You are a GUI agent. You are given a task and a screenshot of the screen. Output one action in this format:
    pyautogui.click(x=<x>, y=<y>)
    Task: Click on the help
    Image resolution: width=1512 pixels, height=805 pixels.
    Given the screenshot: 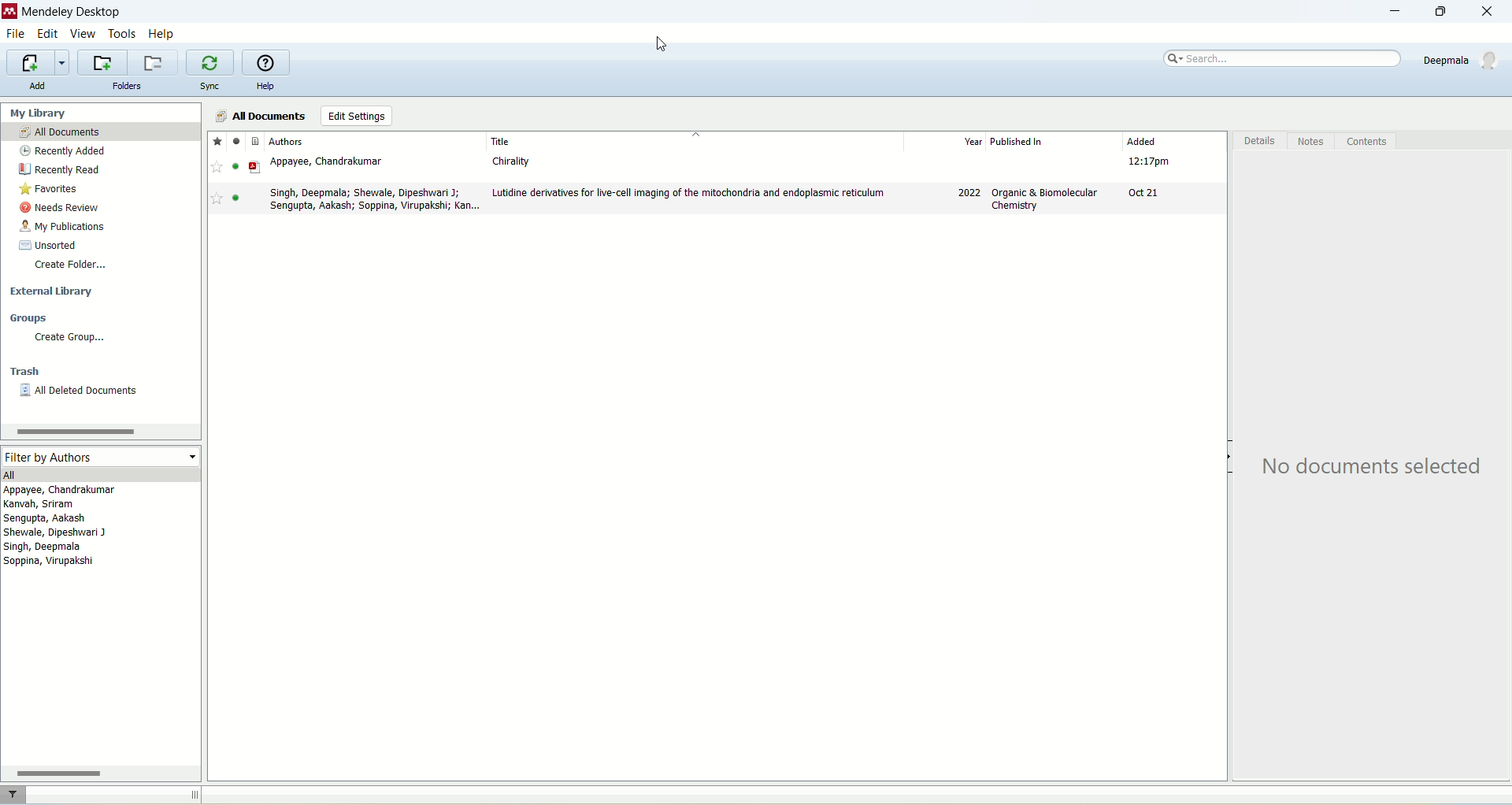 What is the action you would take?
    pyautogui.click(x=264, y=87)
    